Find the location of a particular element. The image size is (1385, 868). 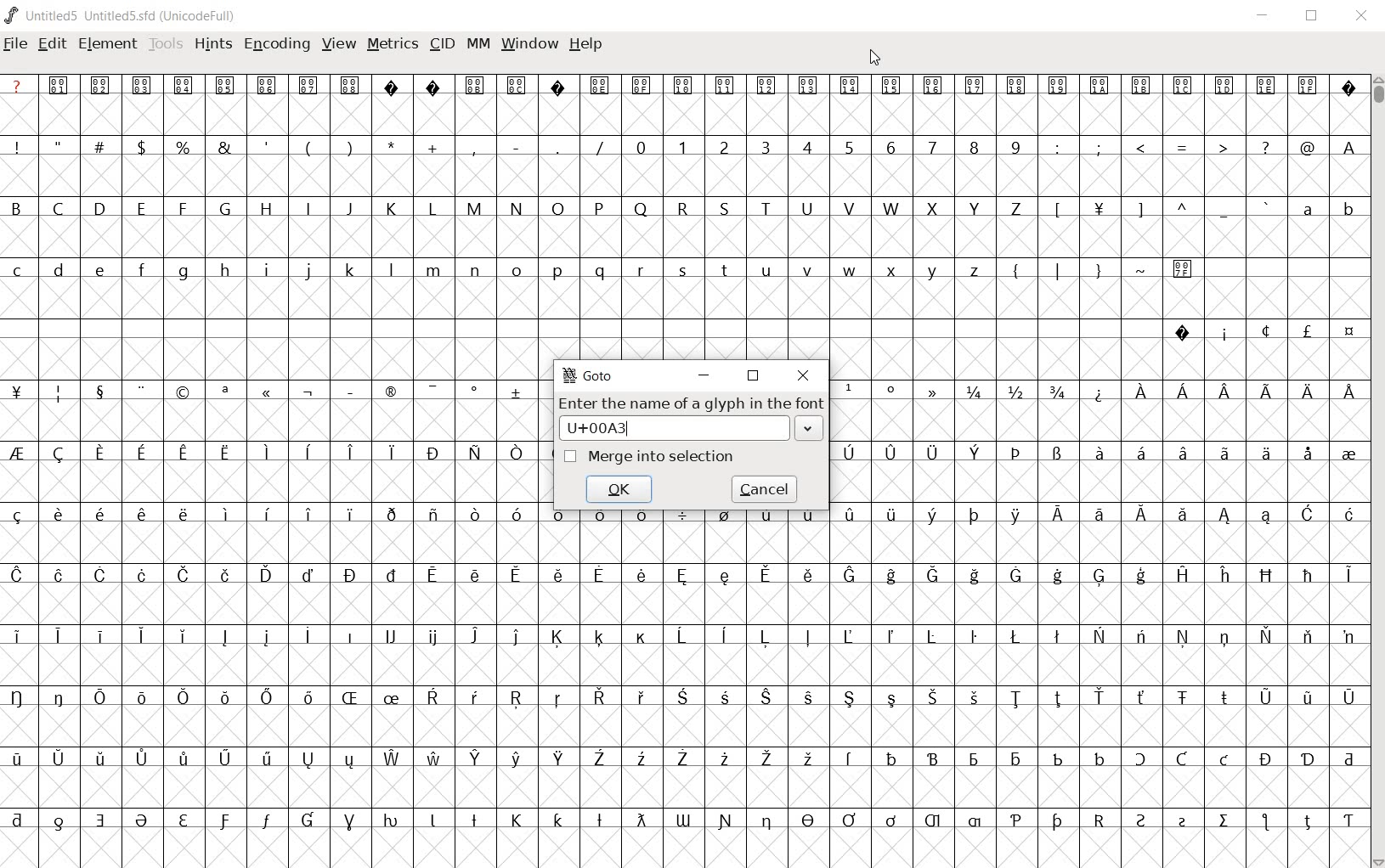

q is located at coordinates (597, 271).